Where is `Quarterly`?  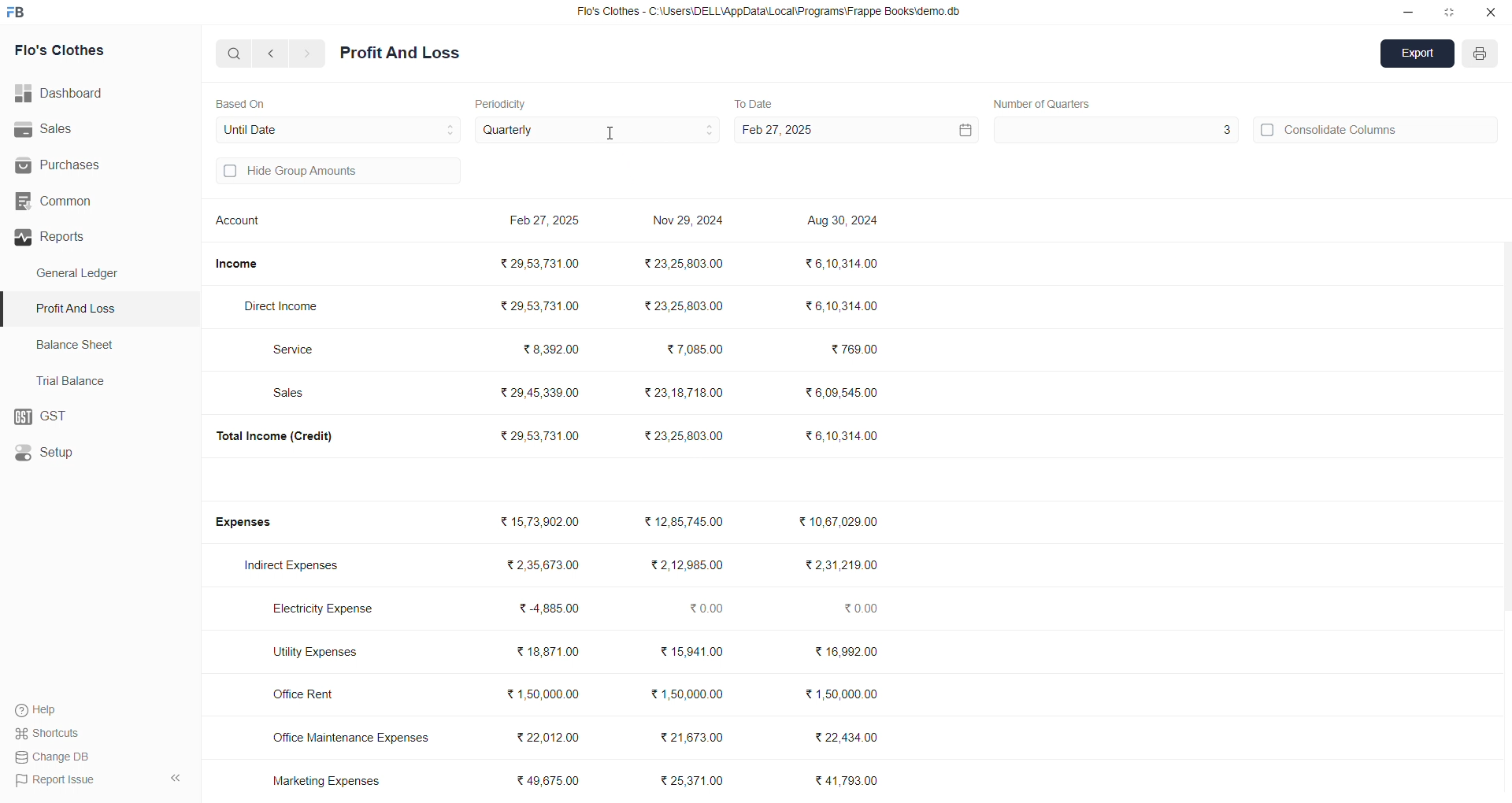 Quarterly is located at coordinates (598, 131).